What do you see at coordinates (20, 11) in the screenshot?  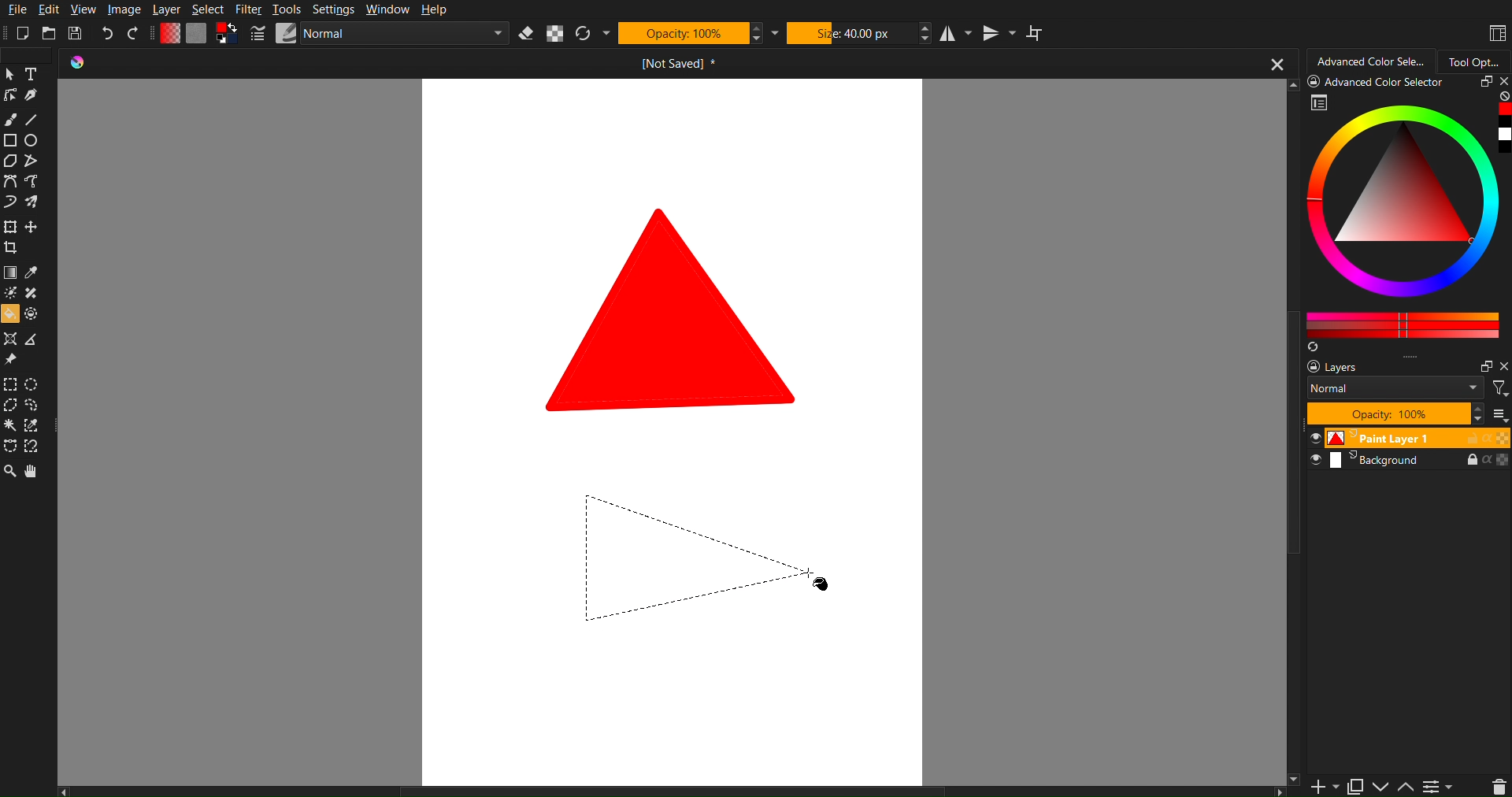 I see `File` at bounding box center [20, 11].